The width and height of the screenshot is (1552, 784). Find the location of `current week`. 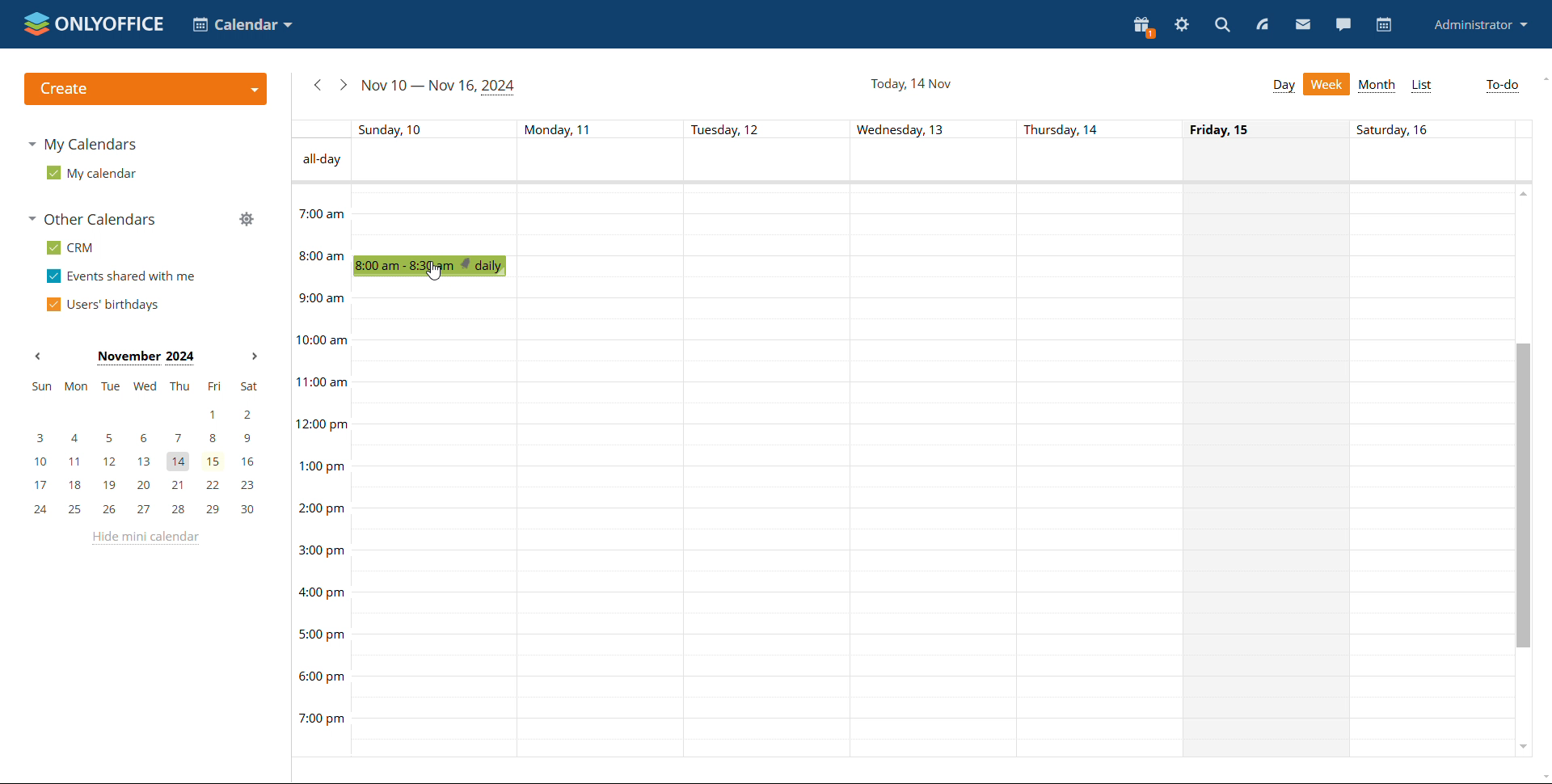

current week is located at coordinates (440, 86).